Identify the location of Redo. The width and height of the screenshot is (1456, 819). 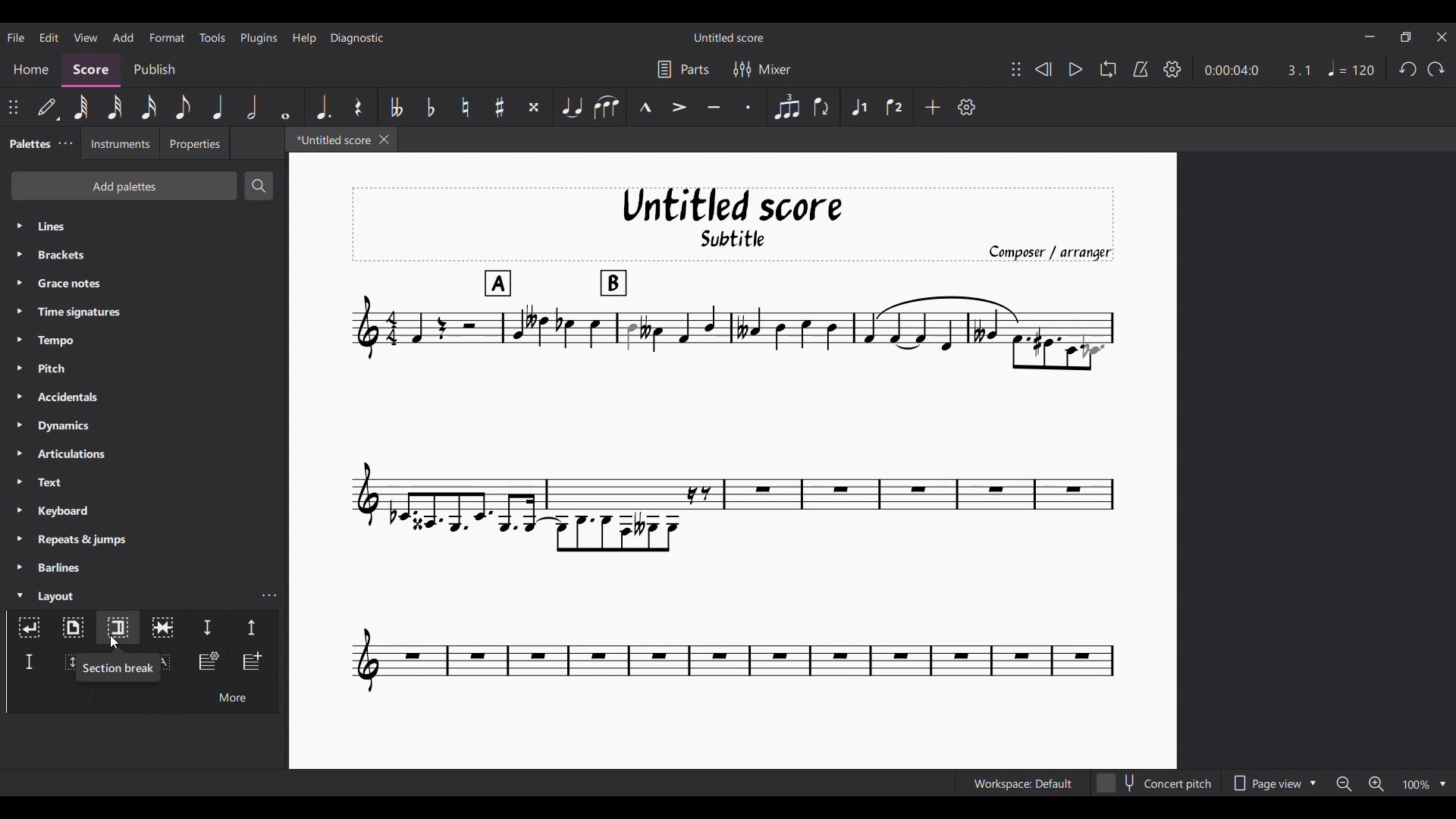
(1436, 69).